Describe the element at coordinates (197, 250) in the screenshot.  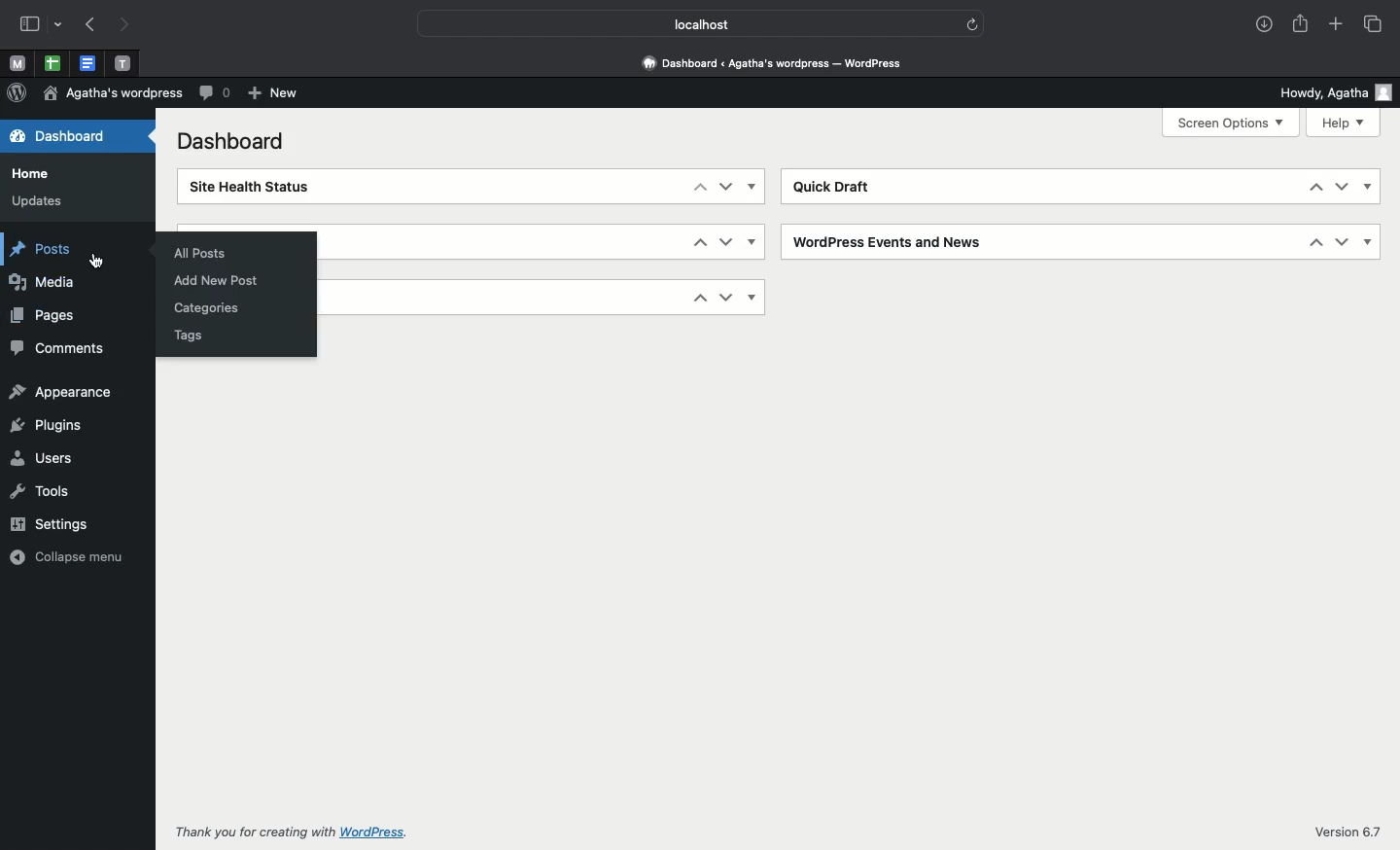
I see `All post` at that location.